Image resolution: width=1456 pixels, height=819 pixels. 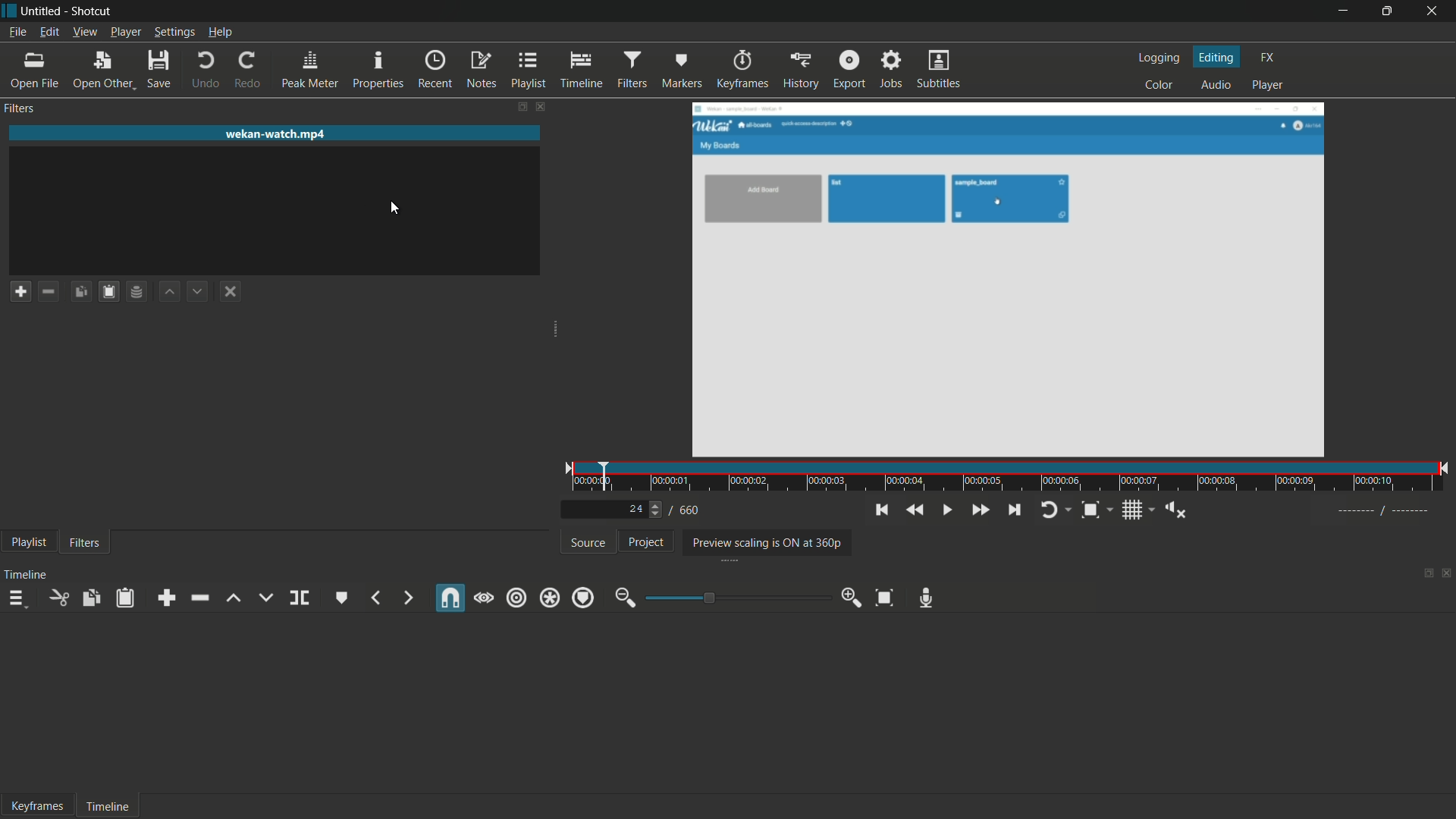 I want to click on overwrite, so click(x=262, y=597).